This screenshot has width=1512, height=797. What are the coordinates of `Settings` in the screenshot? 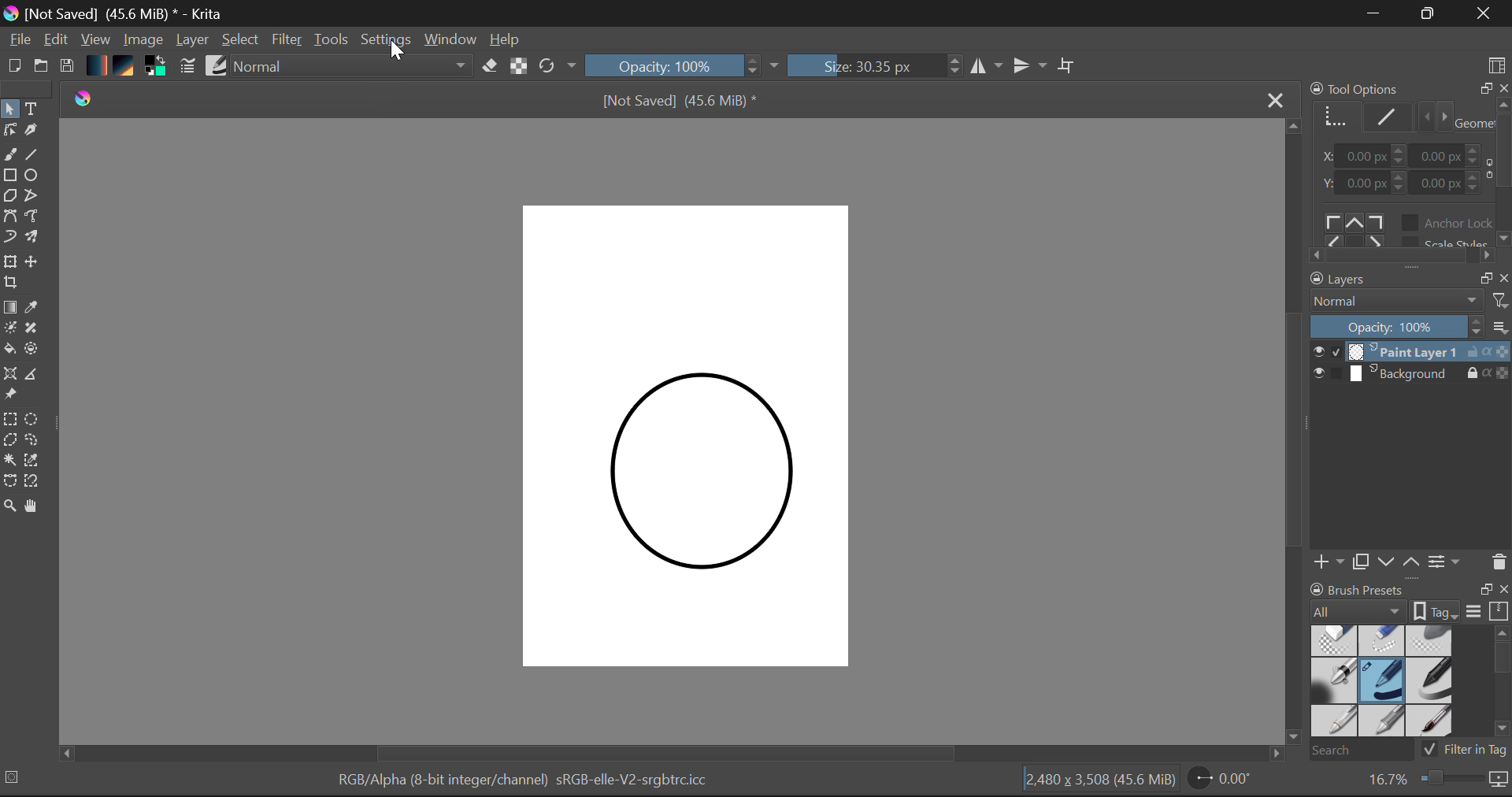 It's located at (387, 42).